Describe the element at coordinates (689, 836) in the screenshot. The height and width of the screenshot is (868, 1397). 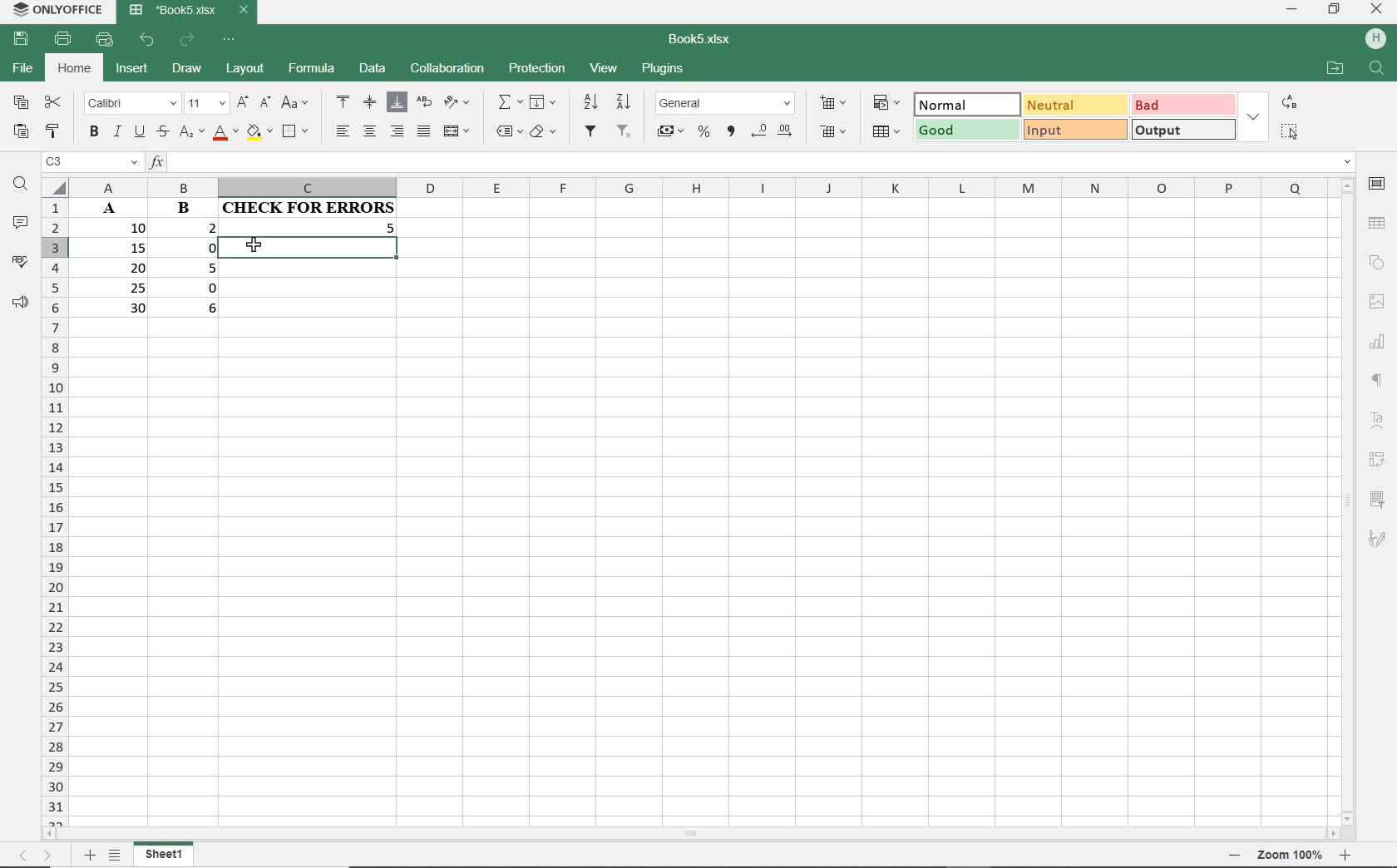
I see `SCROLLBAR` at that location.